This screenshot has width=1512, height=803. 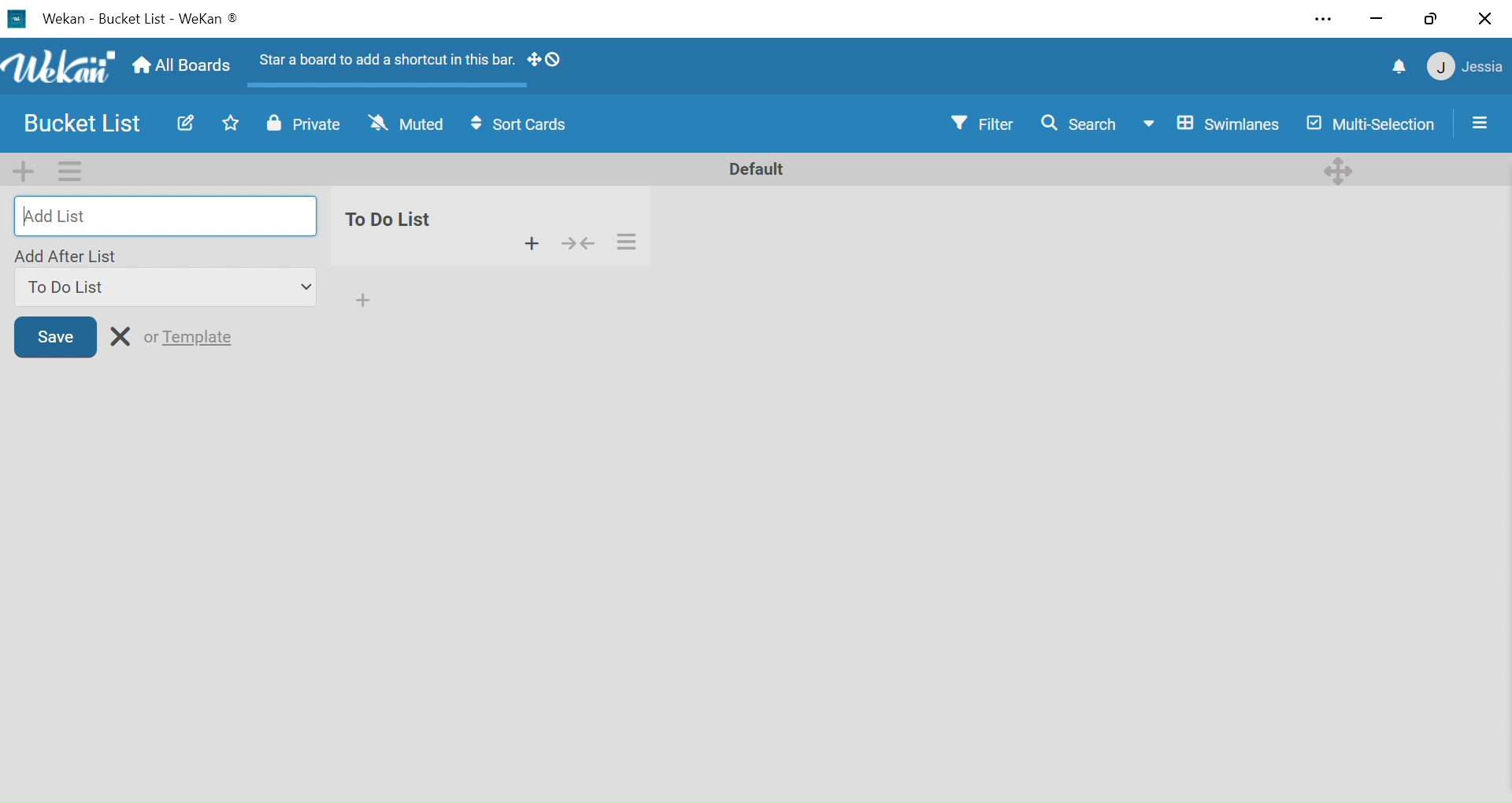 What do you see at coordinates (87, 124) in the screenshot?
I see `Board name` at bounding box center [87, 124].